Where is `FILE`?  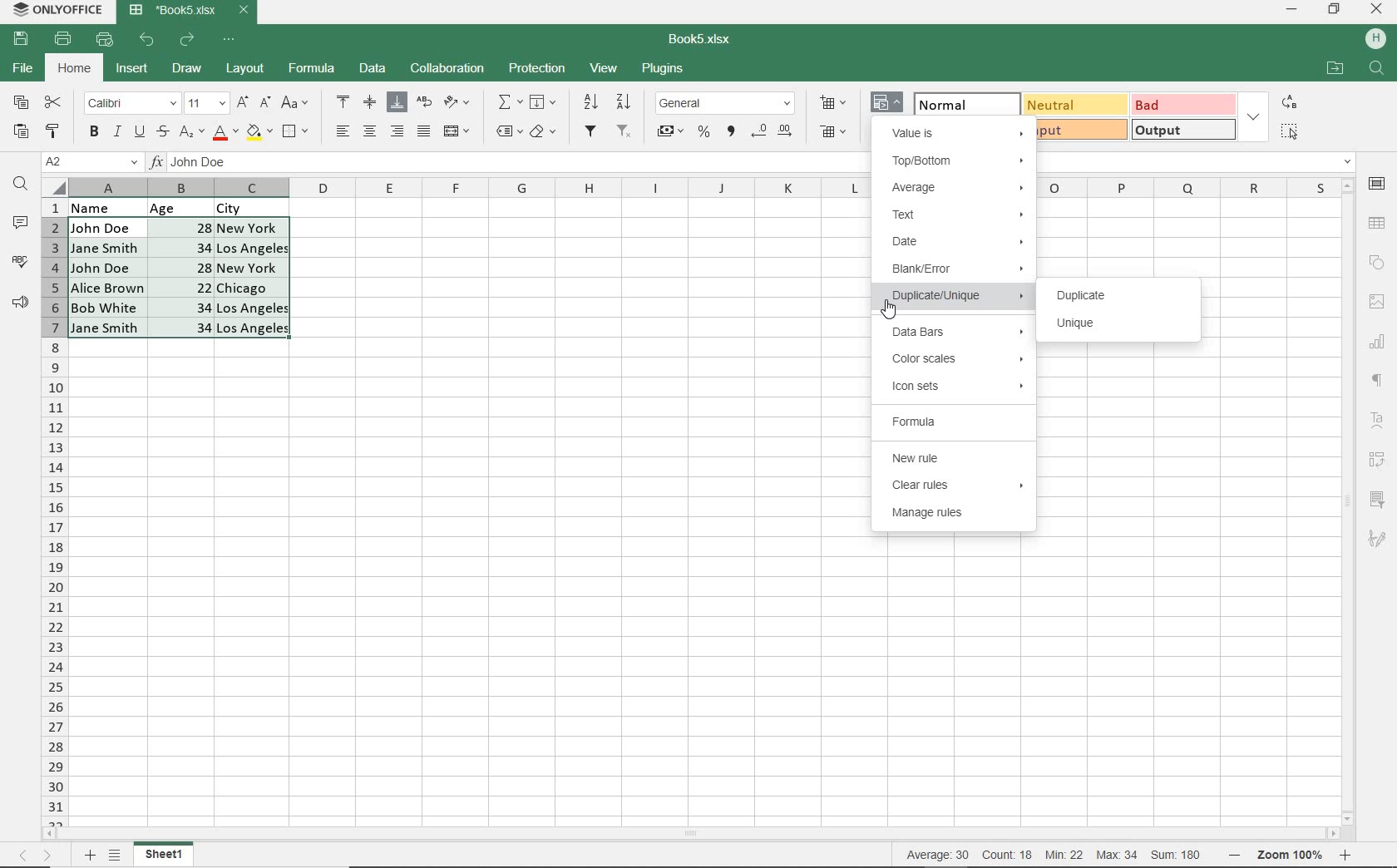
FILE is located at coordinates (21, 69).